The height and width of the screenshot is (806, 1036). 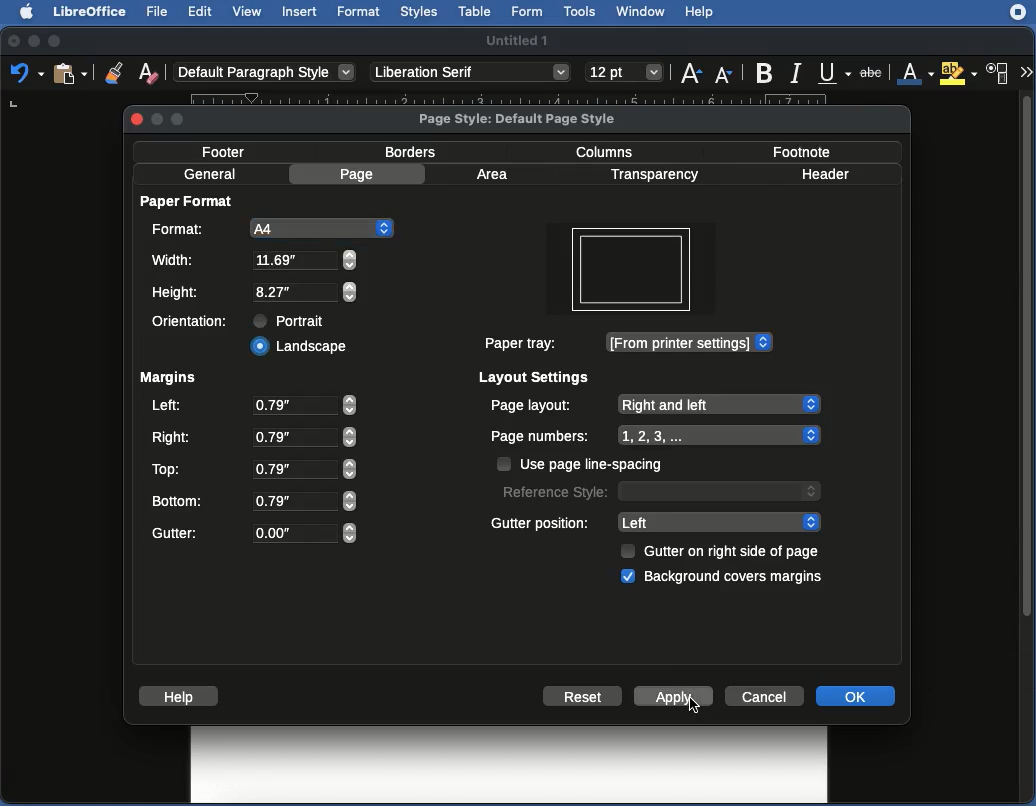 What do you see at coordinates (1026, 70) in the screenshot?
I see `More` at bounding box center [1026, 70].